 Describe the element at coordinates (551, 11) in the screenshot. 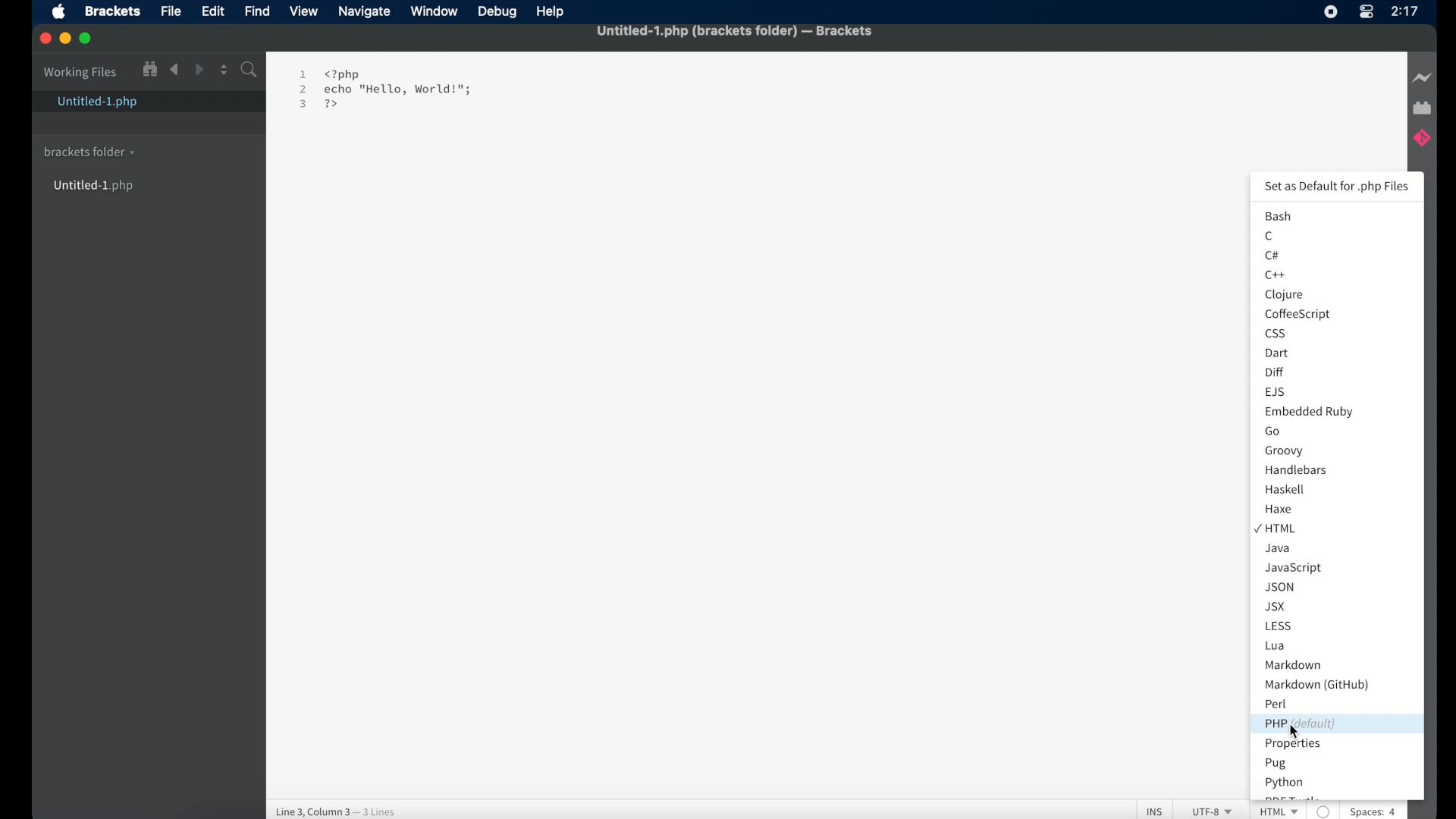

I see `help` at that location.